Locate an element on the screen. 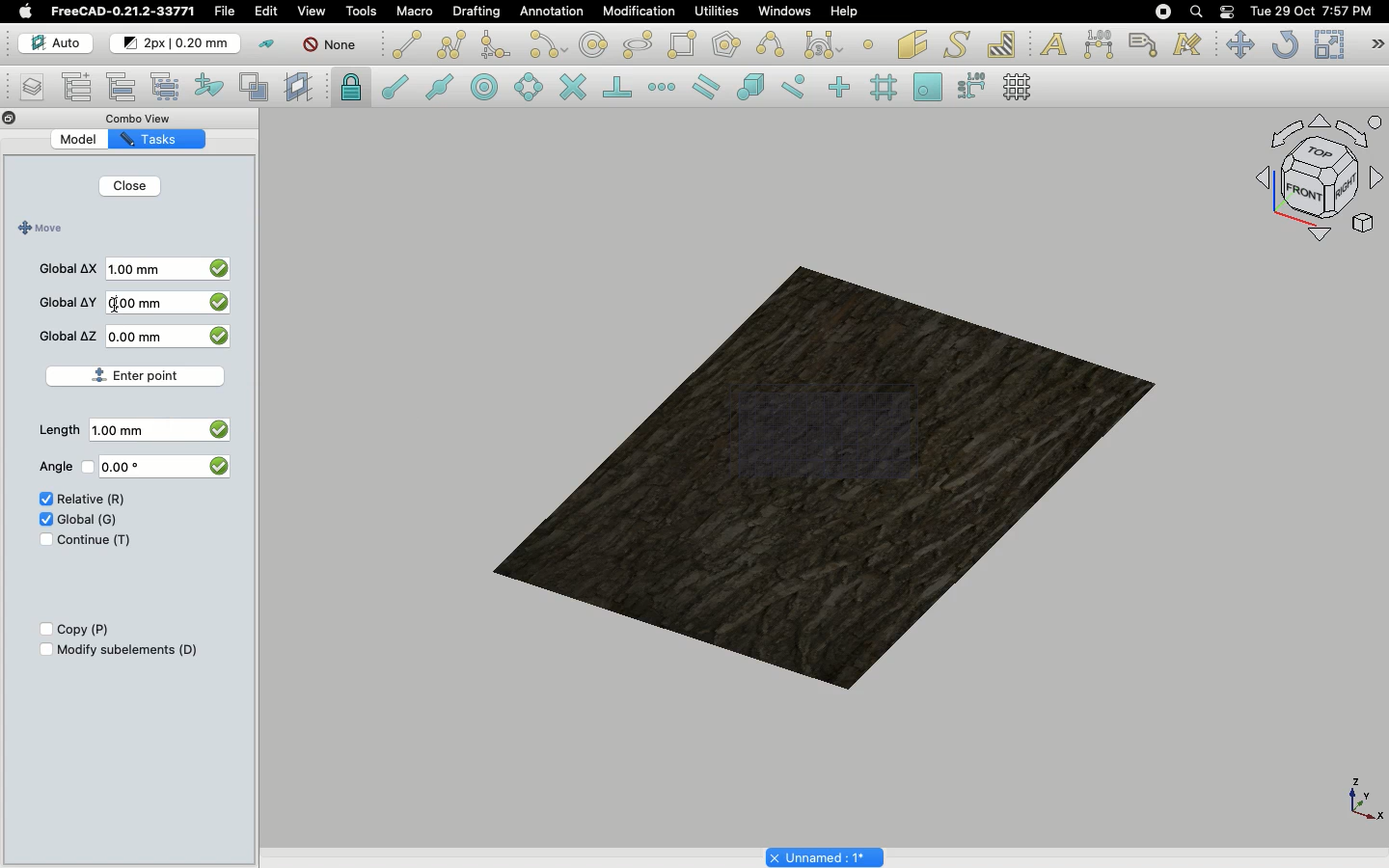 Image resolution: width=1389 pixels, height=868 pixels. Notification is located at coordinates (1229, 11).